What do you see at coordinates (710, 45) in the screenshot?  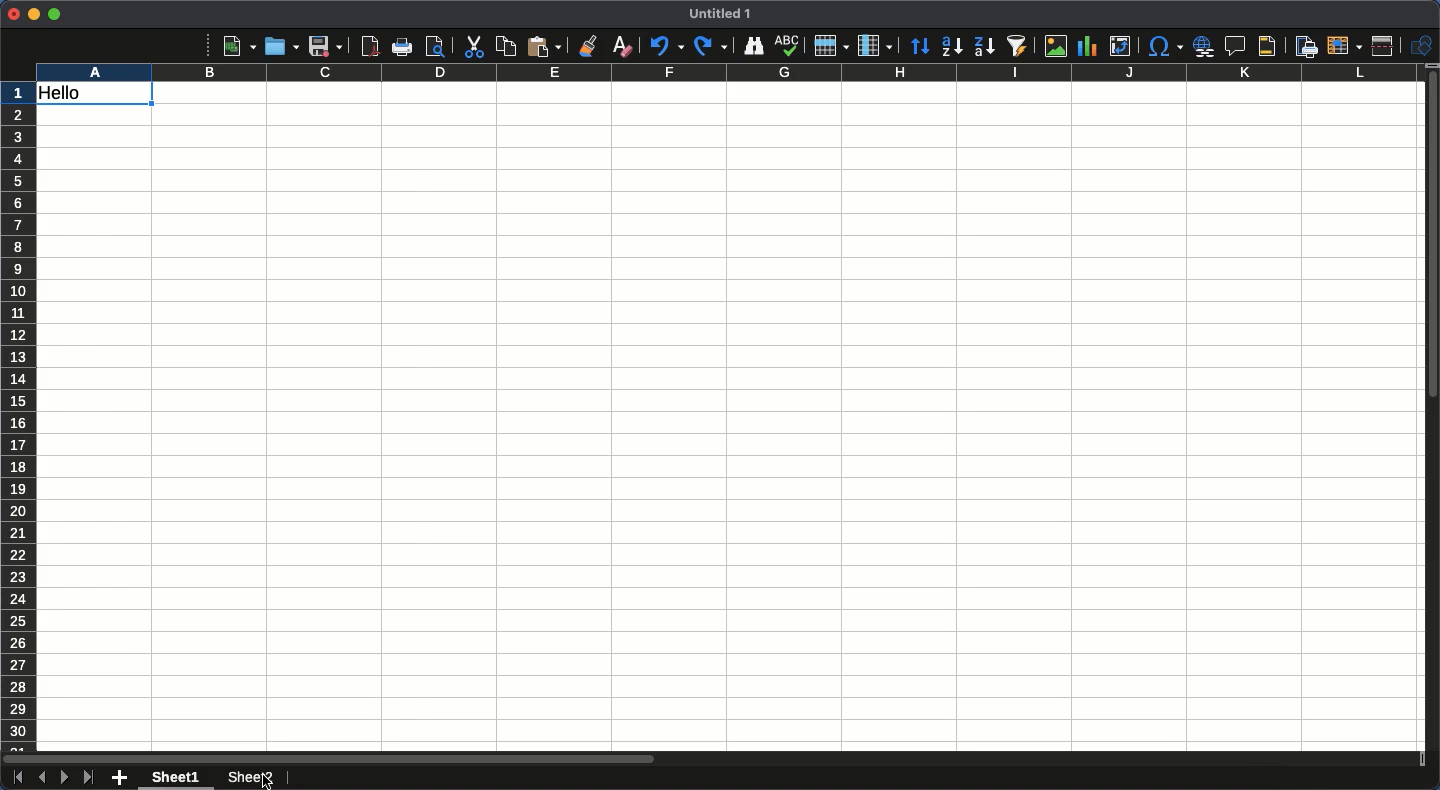 I see `Redo` at bounding box center [710, 45].